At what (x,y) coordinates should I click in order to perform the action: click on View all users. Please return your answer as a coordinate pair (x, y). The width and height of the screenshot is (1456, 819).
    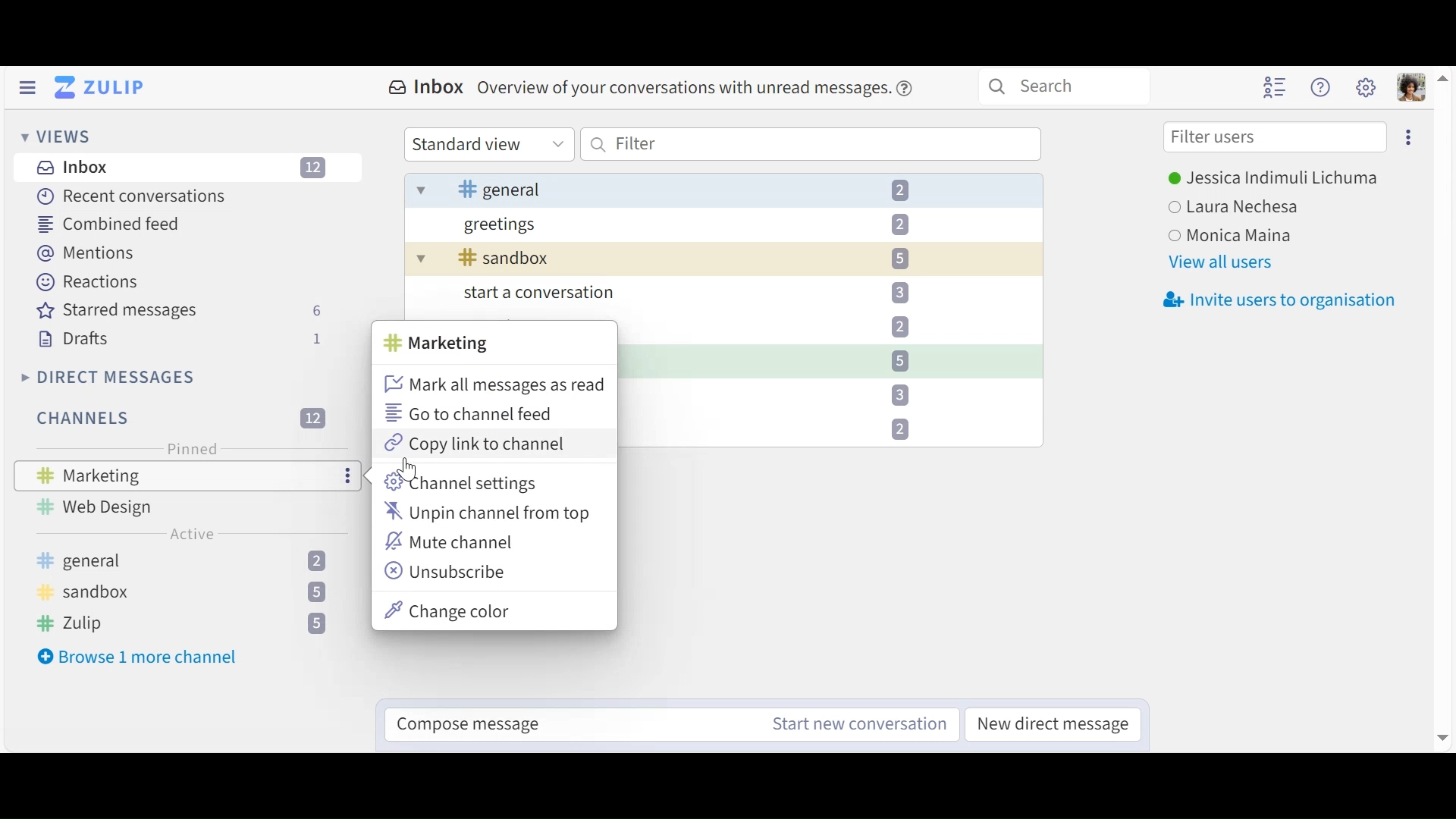
    Looking at the image, I should click on (1221, 262).